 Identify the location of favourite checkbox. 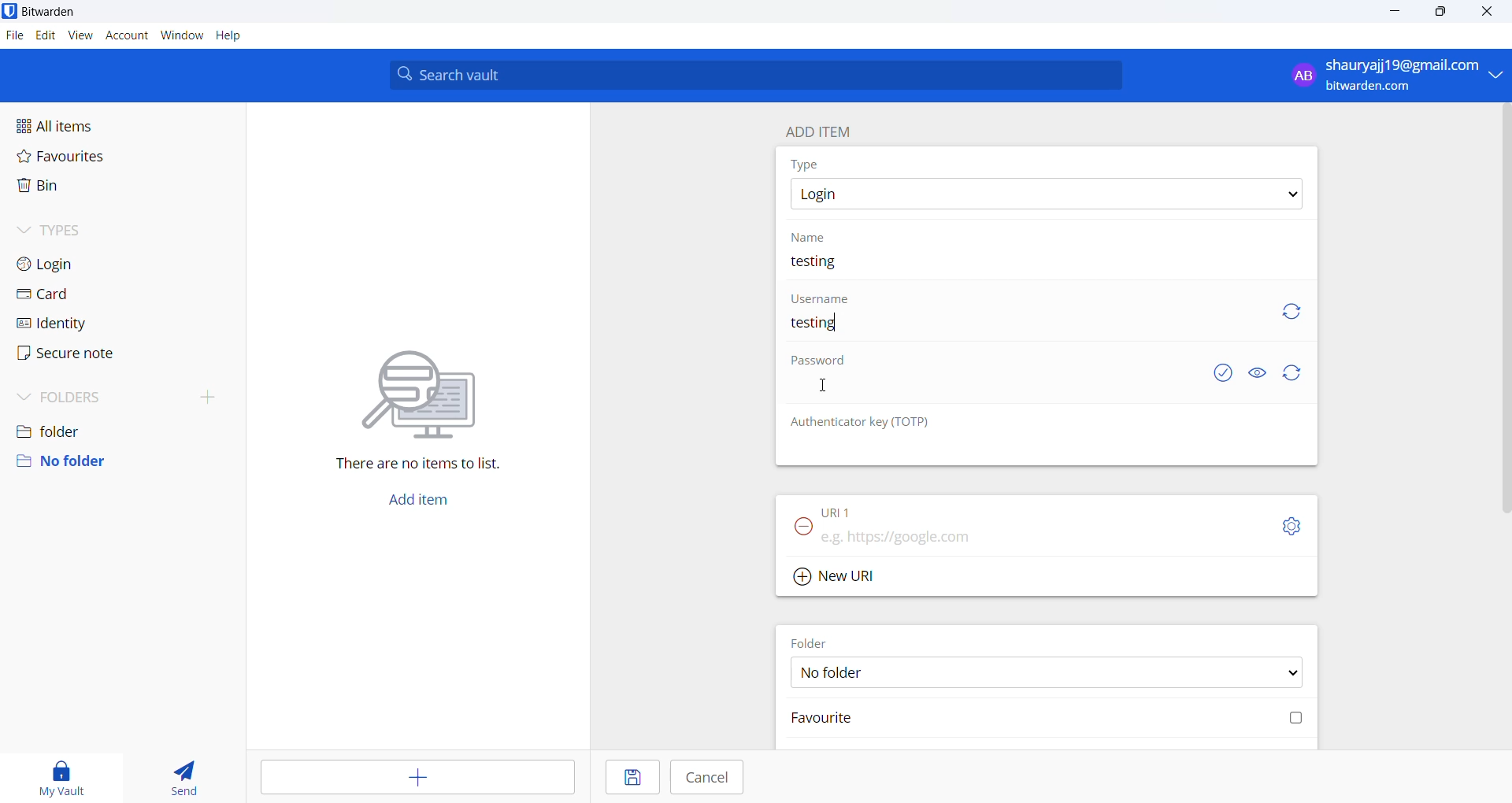
(1050, 718).